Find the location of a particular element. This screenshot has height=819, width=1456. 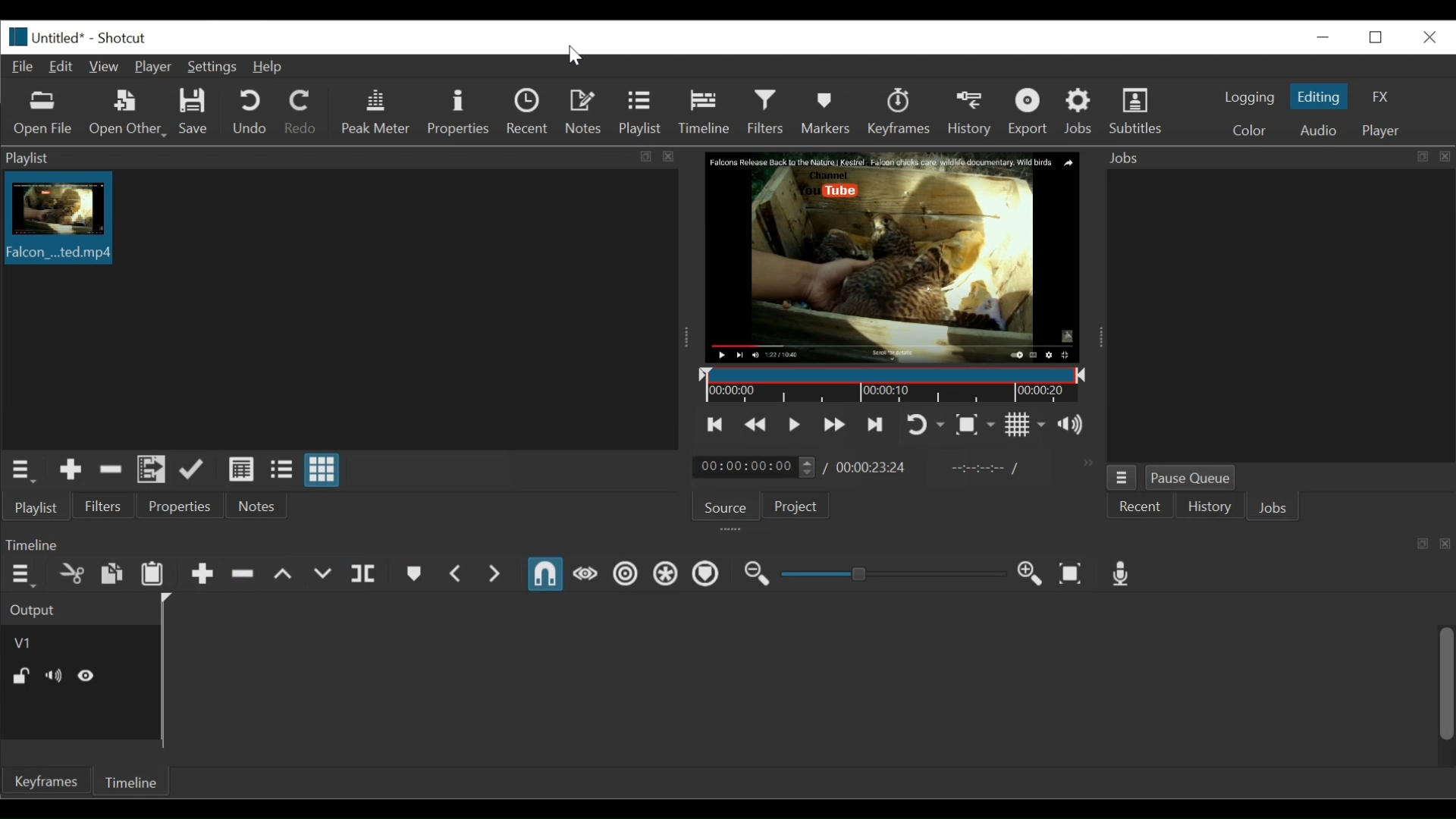

Notes is located at coordinates (263, 507).